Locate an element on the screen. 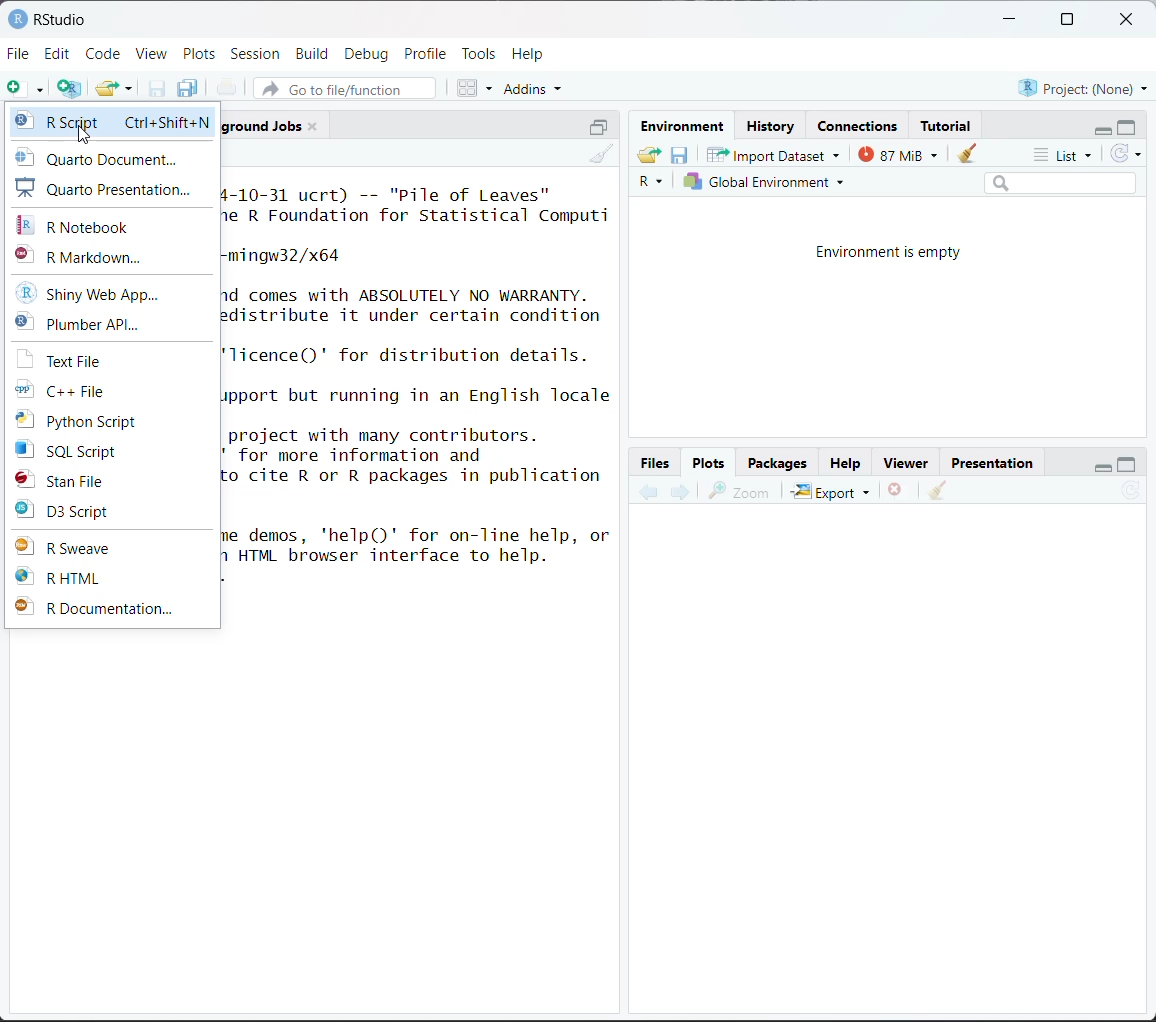  R Markdown... is located at coordinates (79, 256).